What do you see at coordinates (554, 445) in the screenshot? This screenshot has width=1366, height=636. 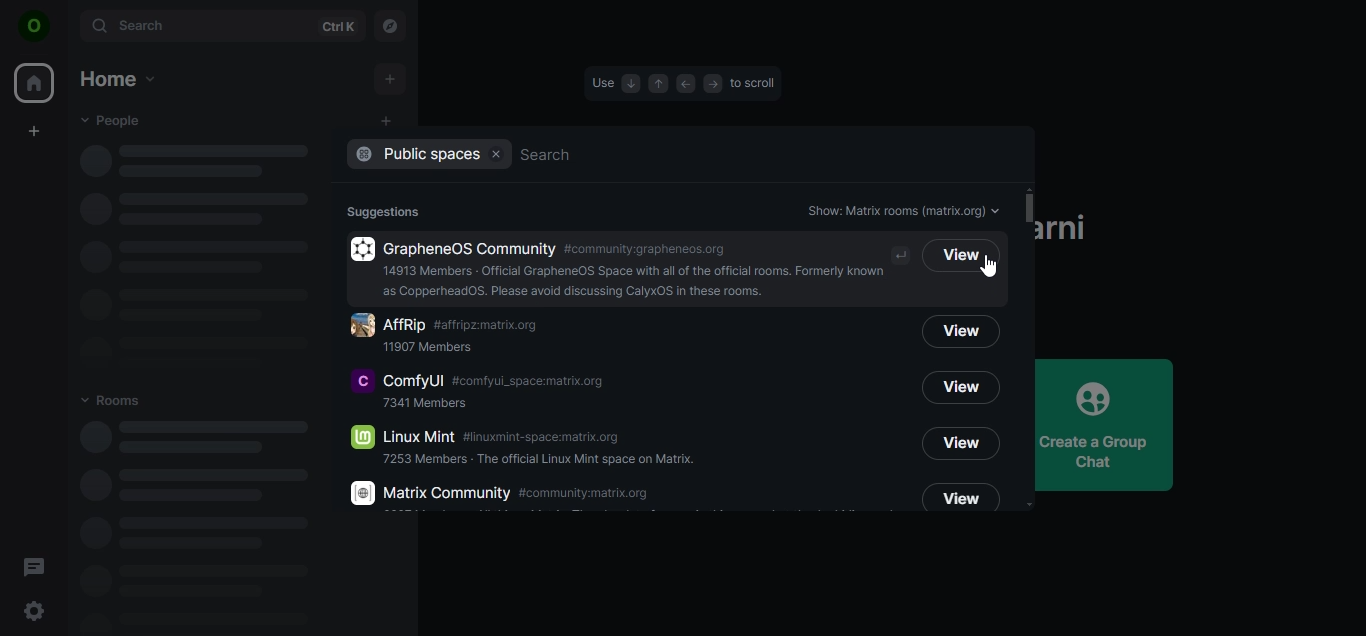 I see `linux mint` at bounding box center [554, 445].